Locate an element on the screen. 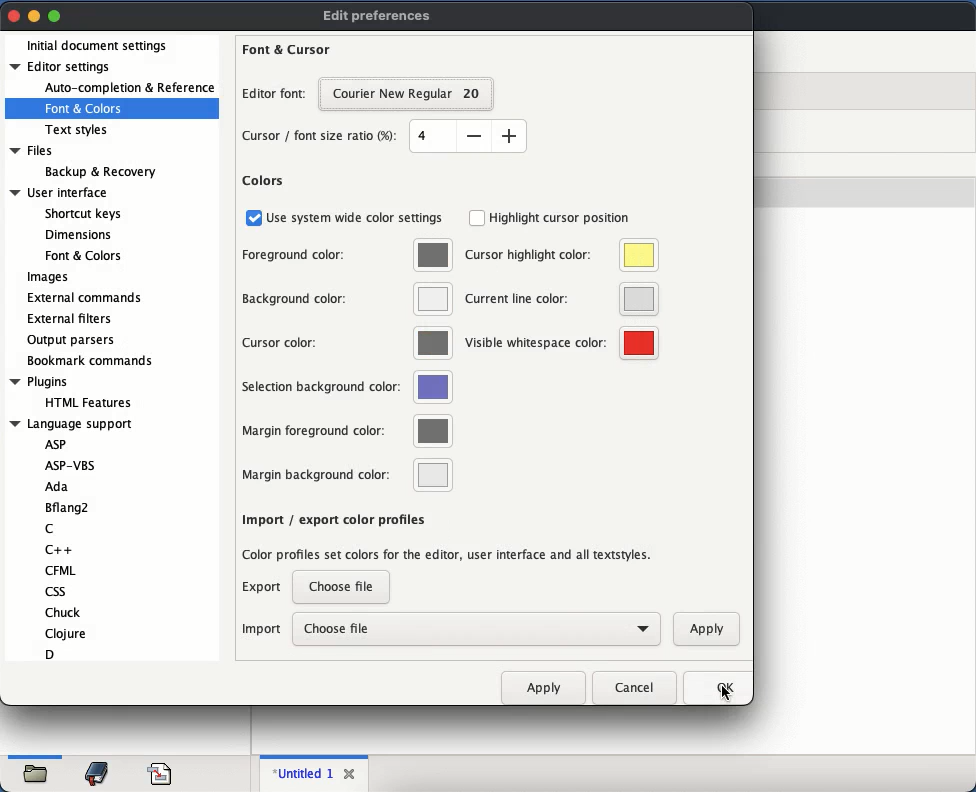 This screenshot has width=976, height=792. foreground color is located at coordinates (324, 255).